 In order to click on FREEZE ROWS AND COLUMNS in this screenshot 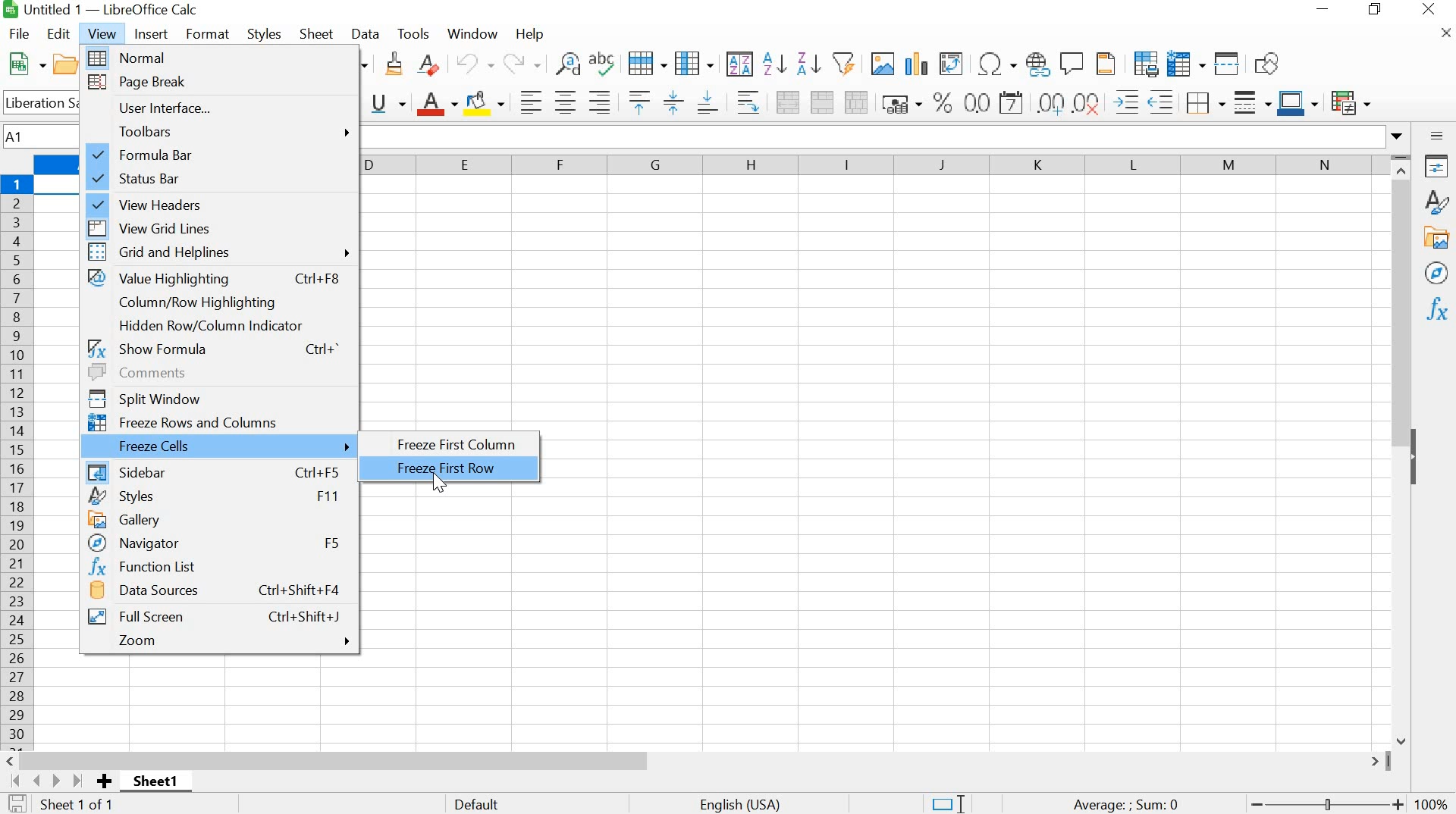, I will do `click(1184, 63)`.